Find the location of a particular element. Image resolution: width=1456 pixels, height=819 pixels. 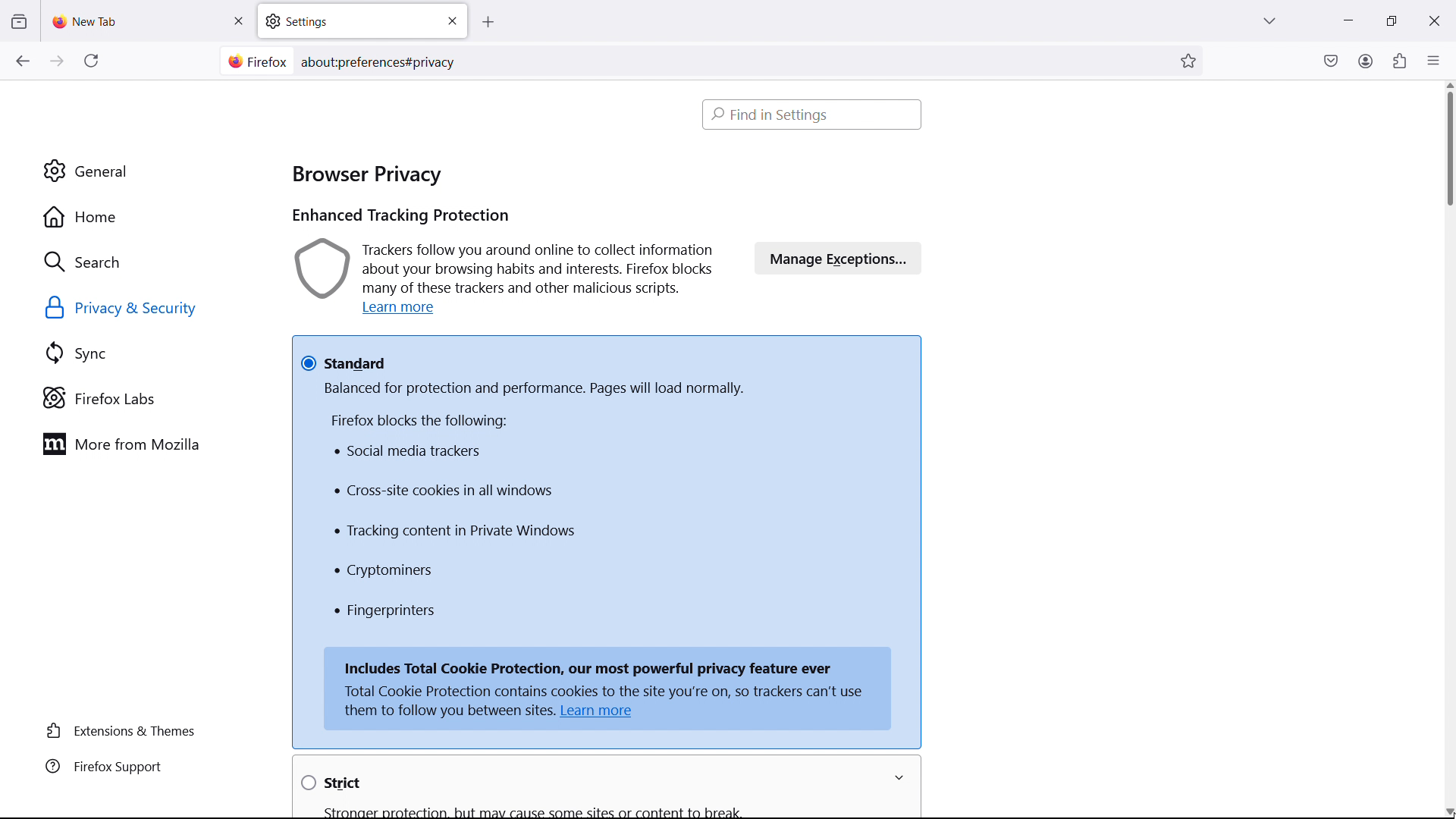

scroll up is located at coordinates (1449, 86).